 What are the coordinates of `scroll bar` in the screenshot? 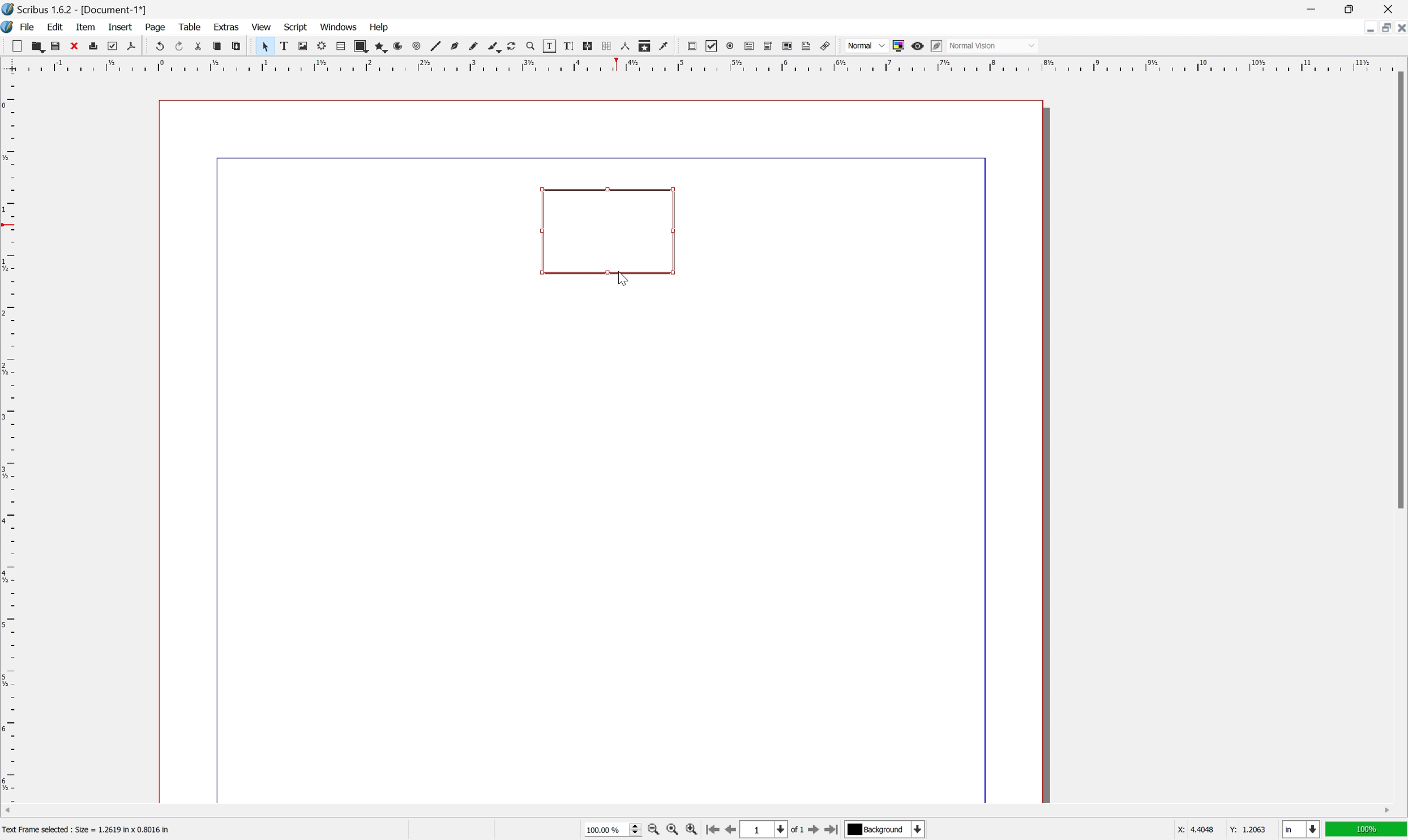 It's located at (1397, 289).